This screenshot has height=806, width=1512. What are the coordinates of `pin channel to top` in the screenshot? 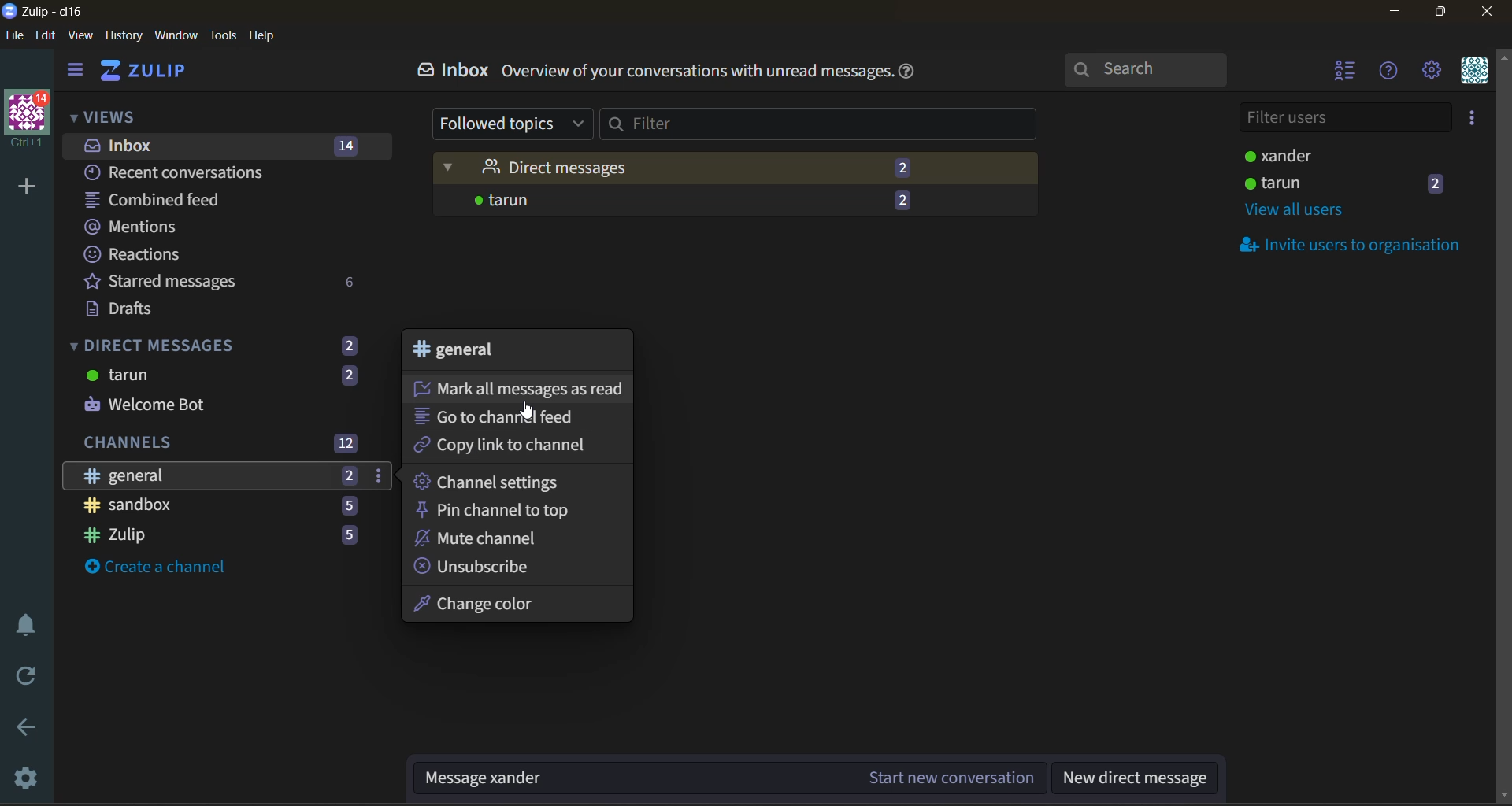 It's located at (501, 510).